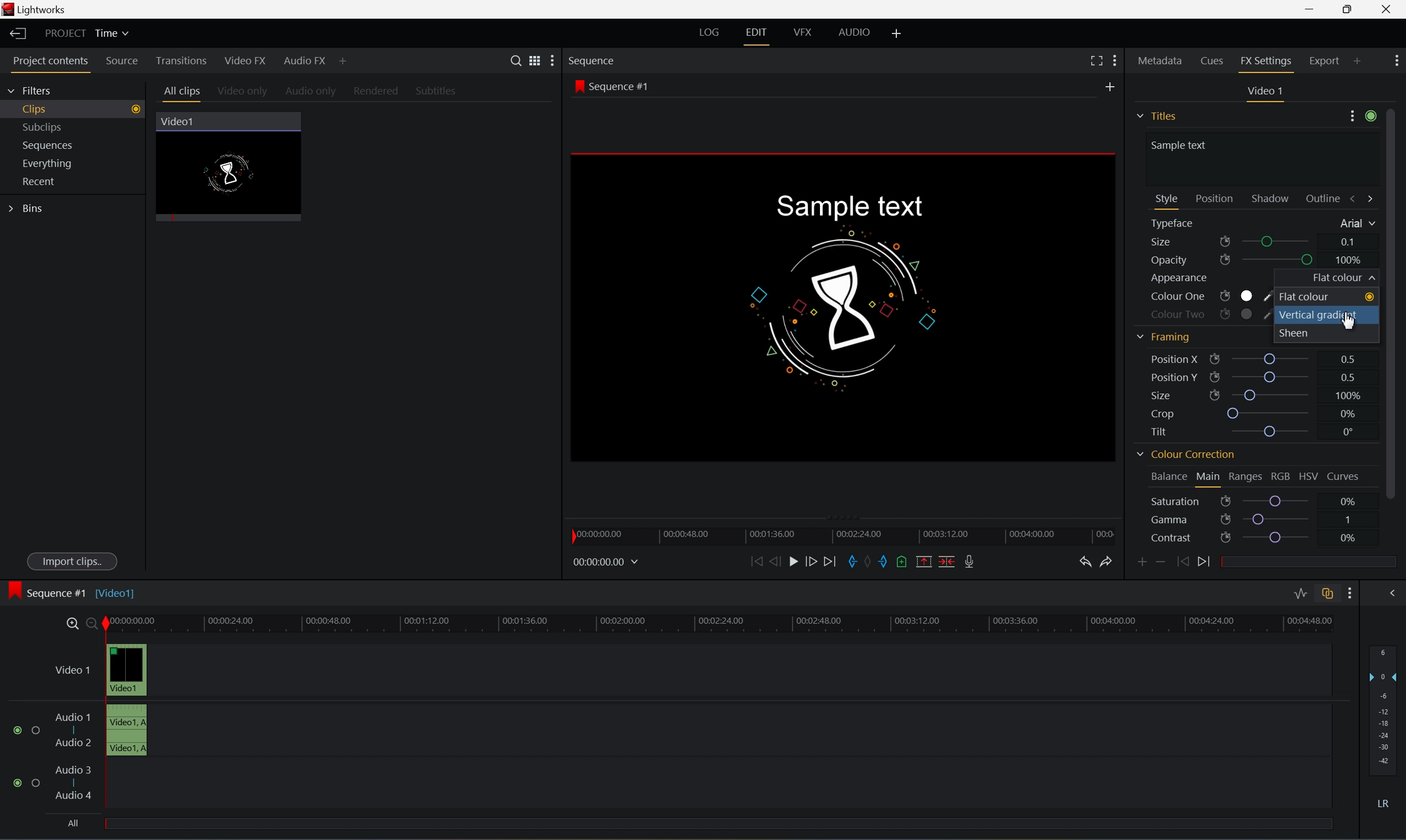 The width and height of the screenshot is (1406, 840). What do you see at coordinates (1390, 10) in the screenshot?
I see `close` at bounding box center [1390, 10].